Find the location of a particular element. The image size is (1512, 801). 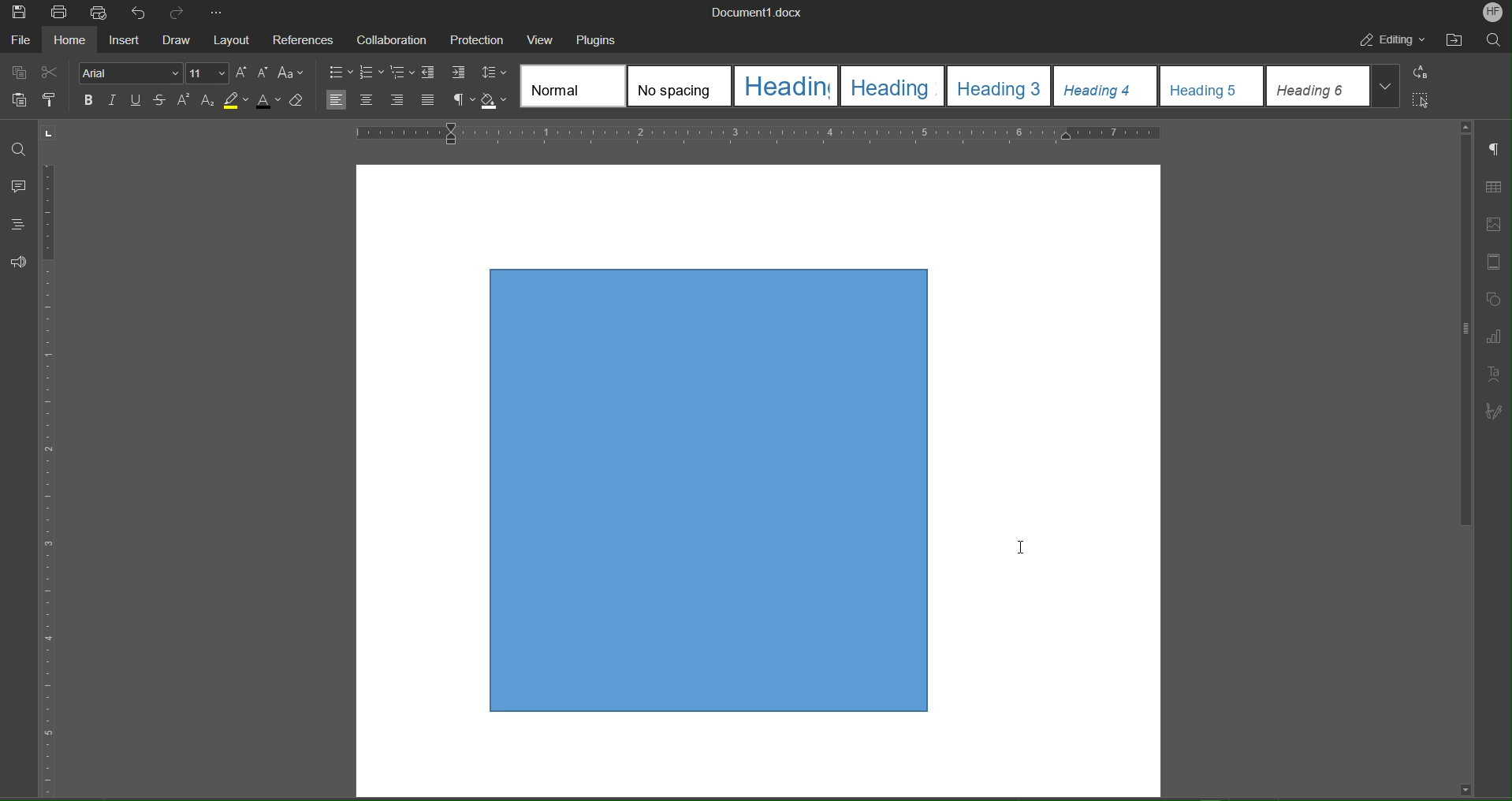

 is located at coordinates (482, 39).